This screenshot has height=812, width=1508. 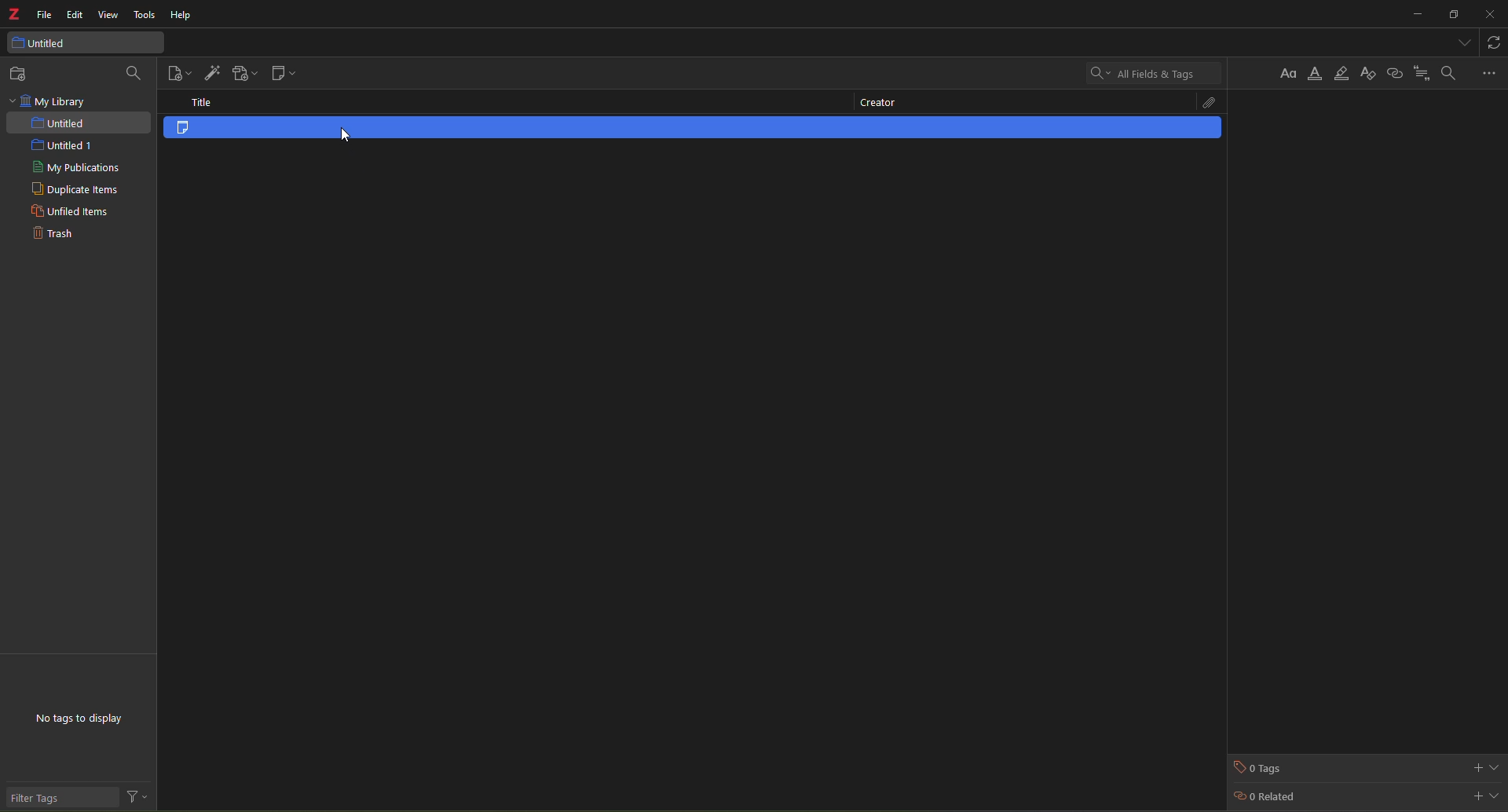 I want to click on add, so click(x=1474, y=766).